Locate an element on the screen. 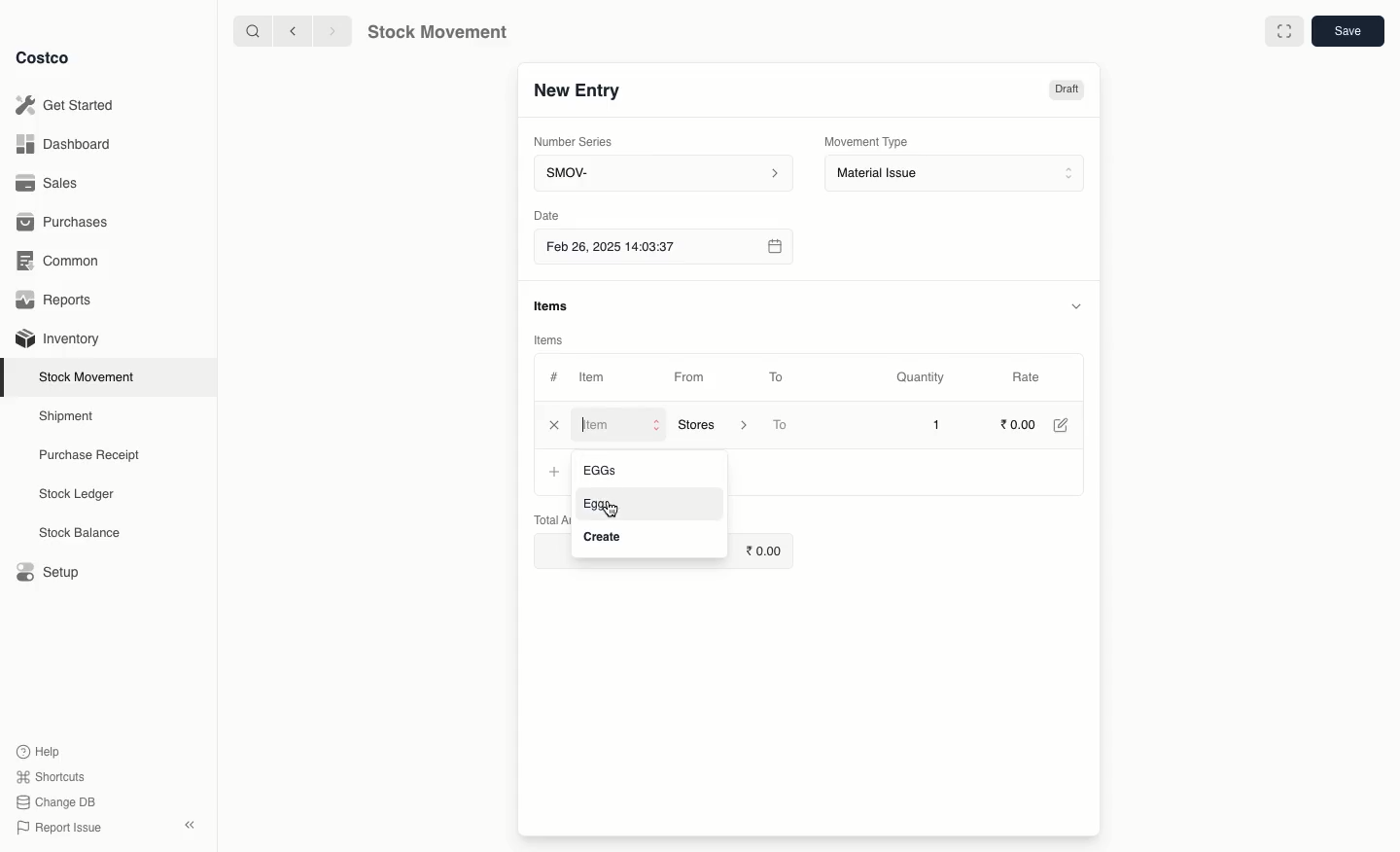 The image size is (1400, 852). Report Issue is located at coordinates (61, 828).